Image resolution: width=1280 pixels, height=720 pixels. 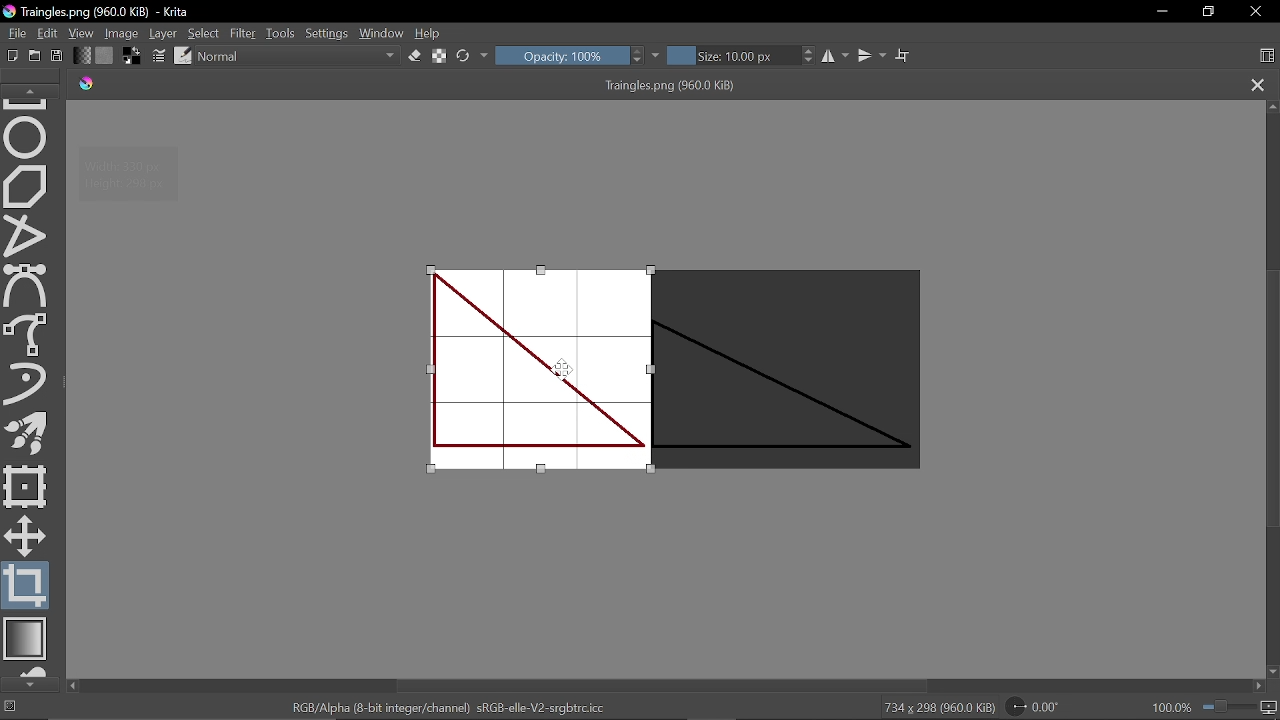 I want to click on 734 x 298 (960.0 KiB), so click(x=938, y=708).